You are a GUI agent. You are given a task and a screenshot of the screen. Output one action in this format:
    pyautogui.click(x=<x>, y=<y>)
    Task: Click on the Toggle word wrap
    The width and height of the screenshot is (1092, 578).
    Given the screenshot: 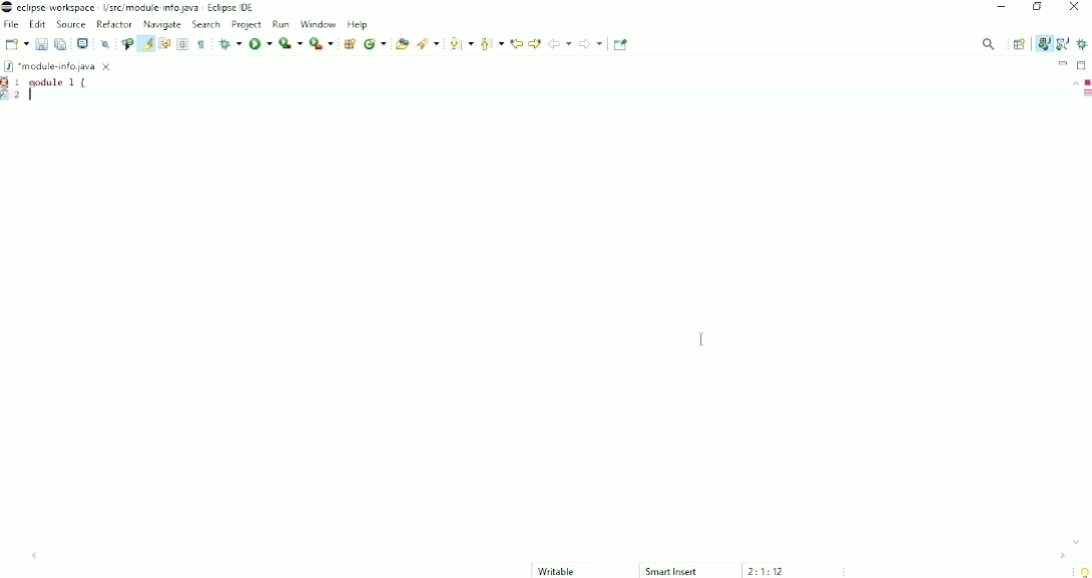 What is the action you would take?
    pyautogui.click(x=164, y=44)
    